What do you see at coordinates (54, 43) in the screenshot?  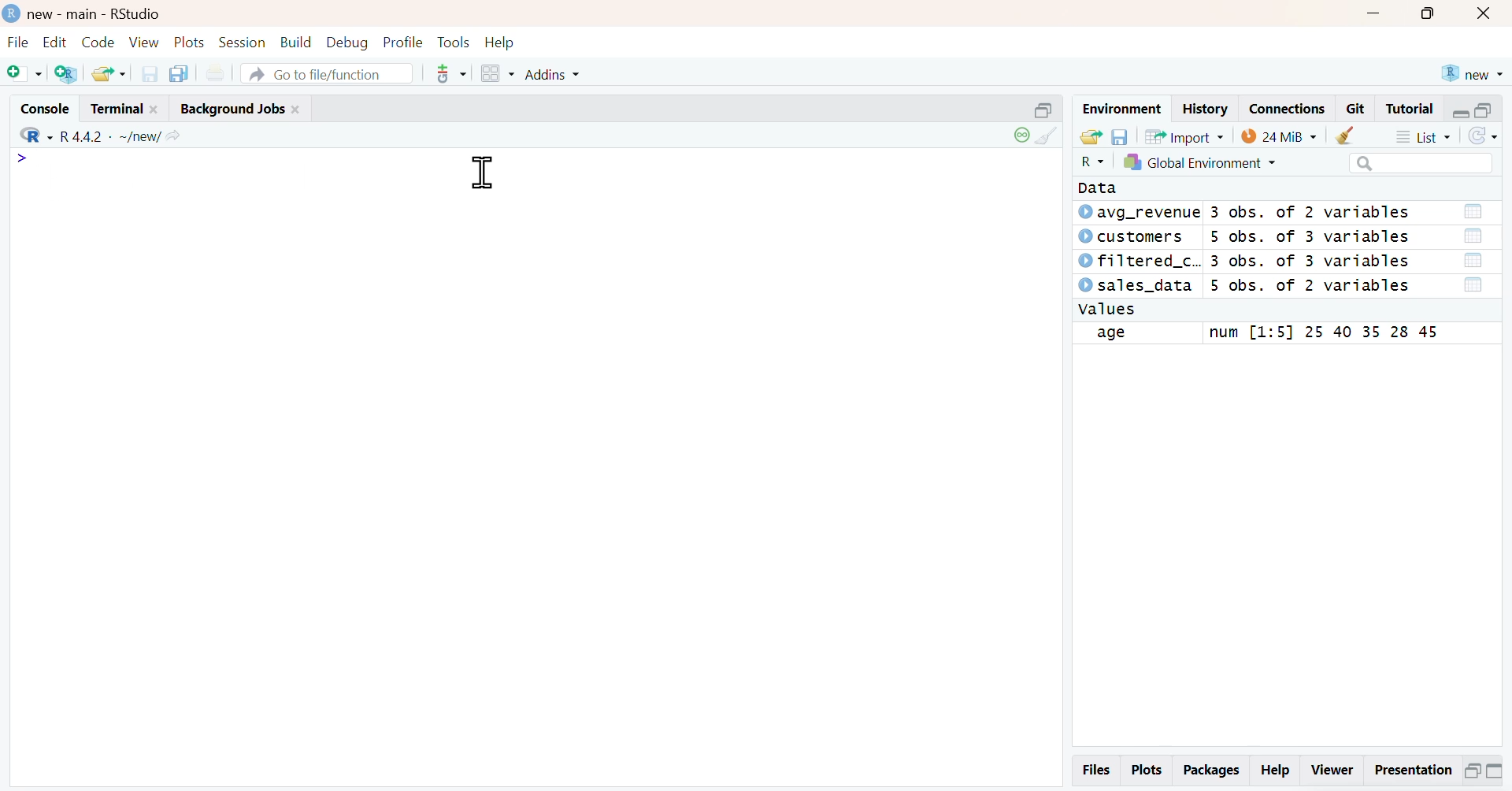 I see `Edit` at bounding box center [54, 43].